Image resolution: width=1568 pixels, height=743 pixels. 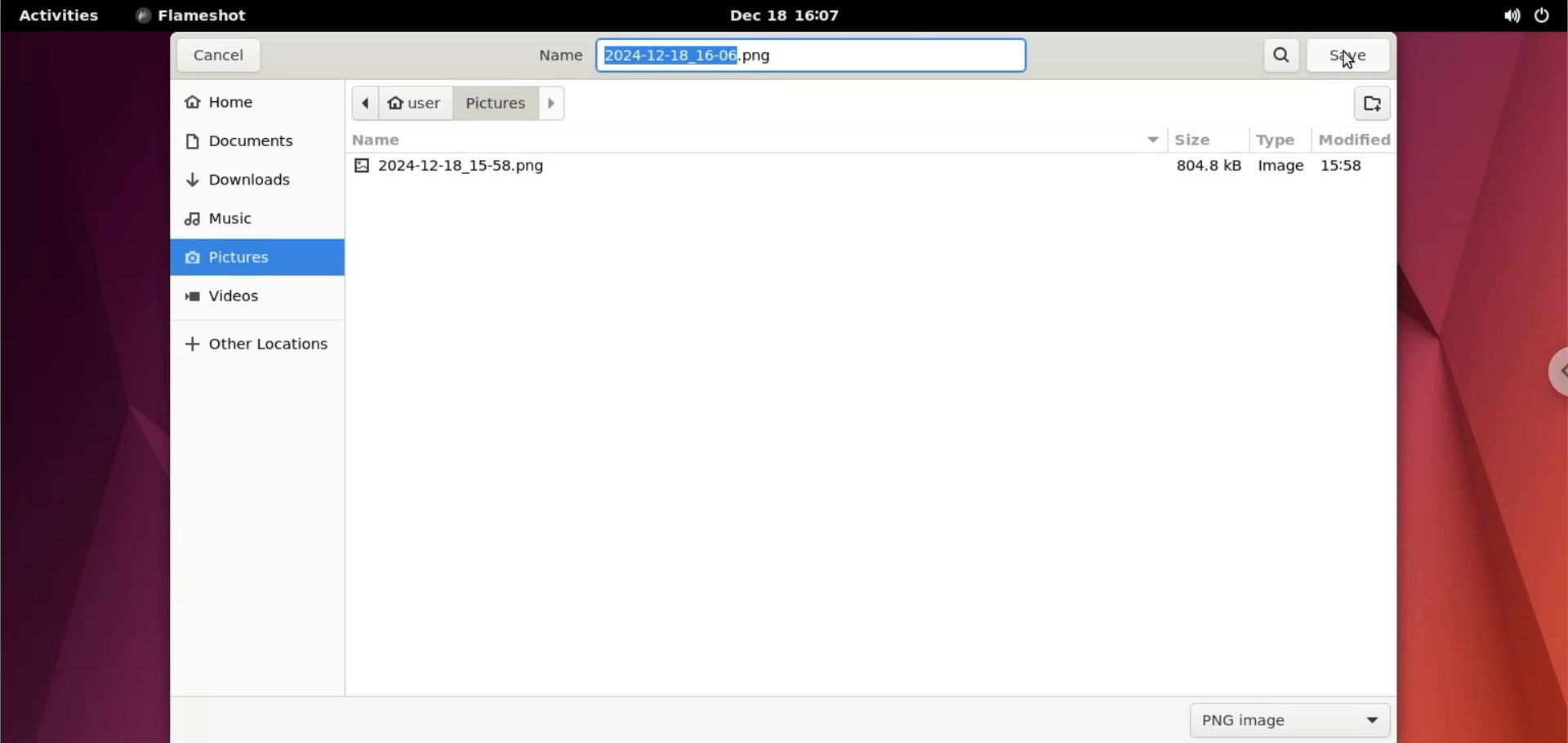 I want to click on file type, so click(x=1280, y=168).